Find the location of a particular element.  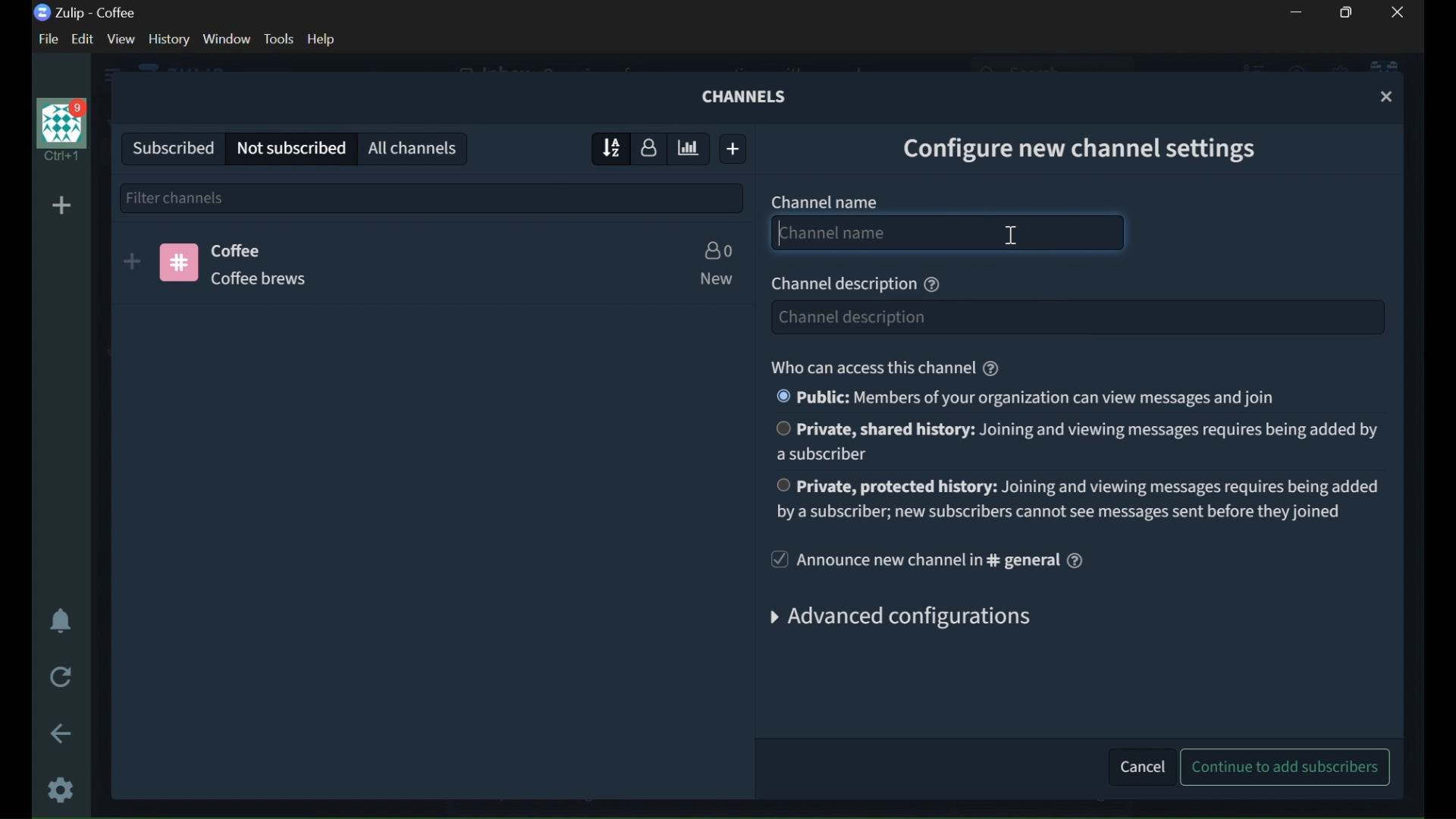

TOOLS is located at coordinates (278, 39).